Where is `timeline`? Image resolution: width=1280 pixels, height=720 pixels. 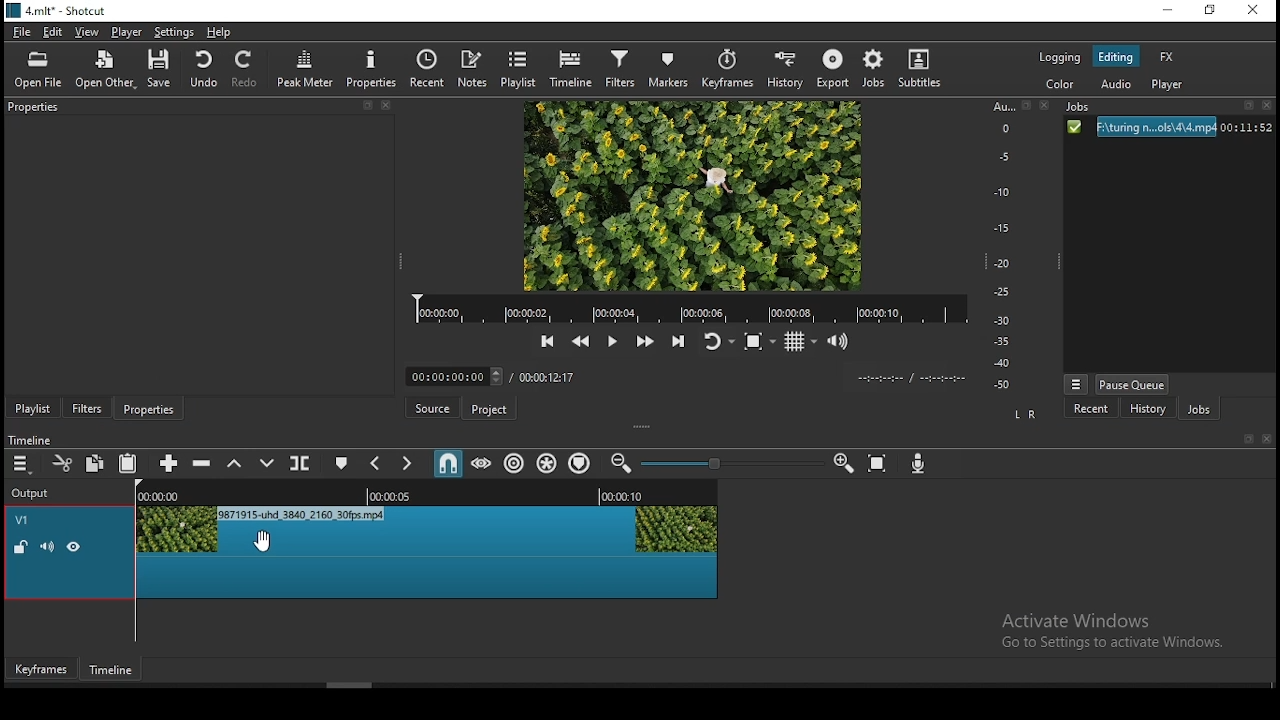 timeline is located at coordinates (39, 438).